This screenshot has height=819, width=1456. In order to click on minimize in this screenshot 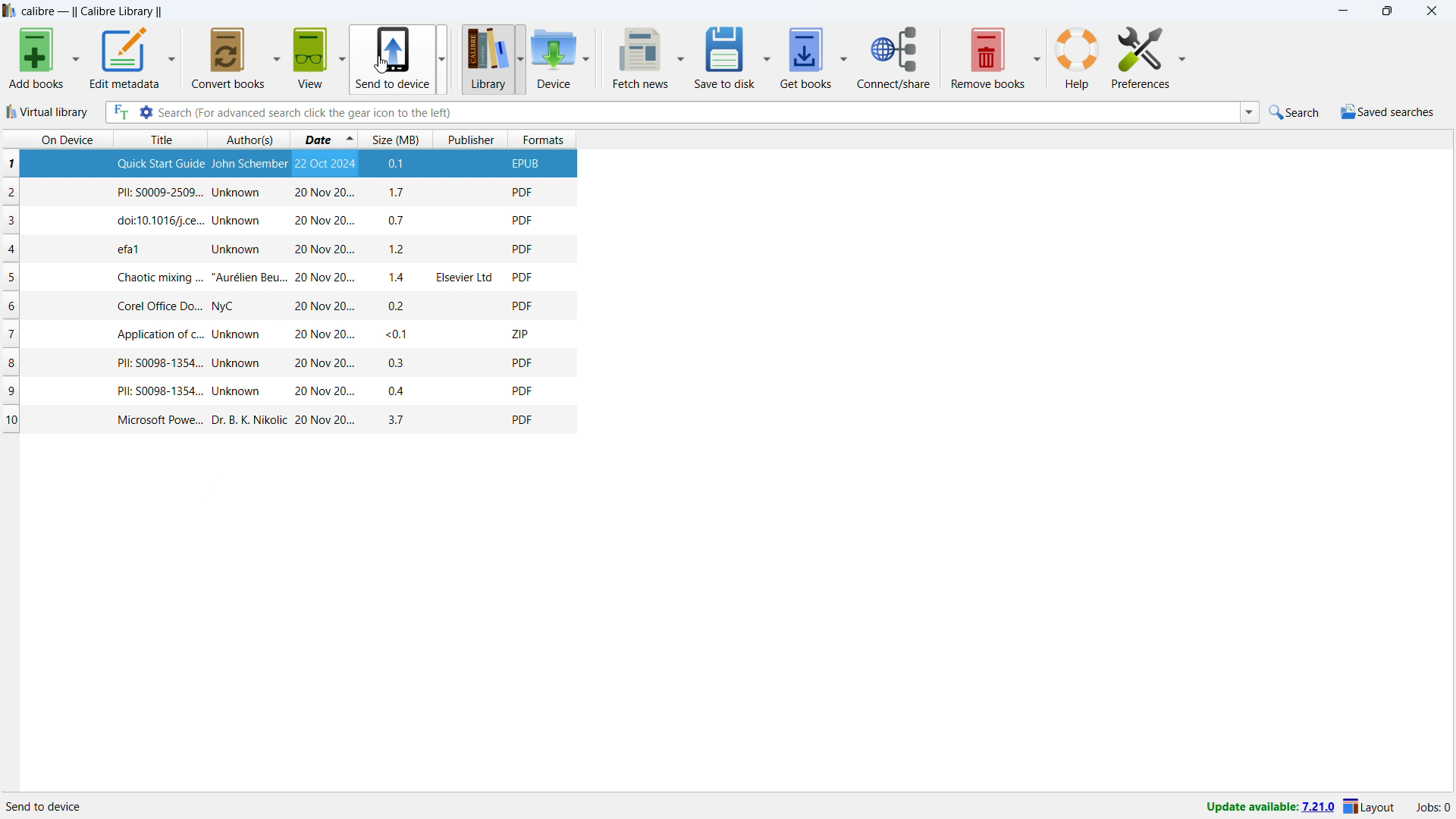, I will do `click(1342, 12)`.